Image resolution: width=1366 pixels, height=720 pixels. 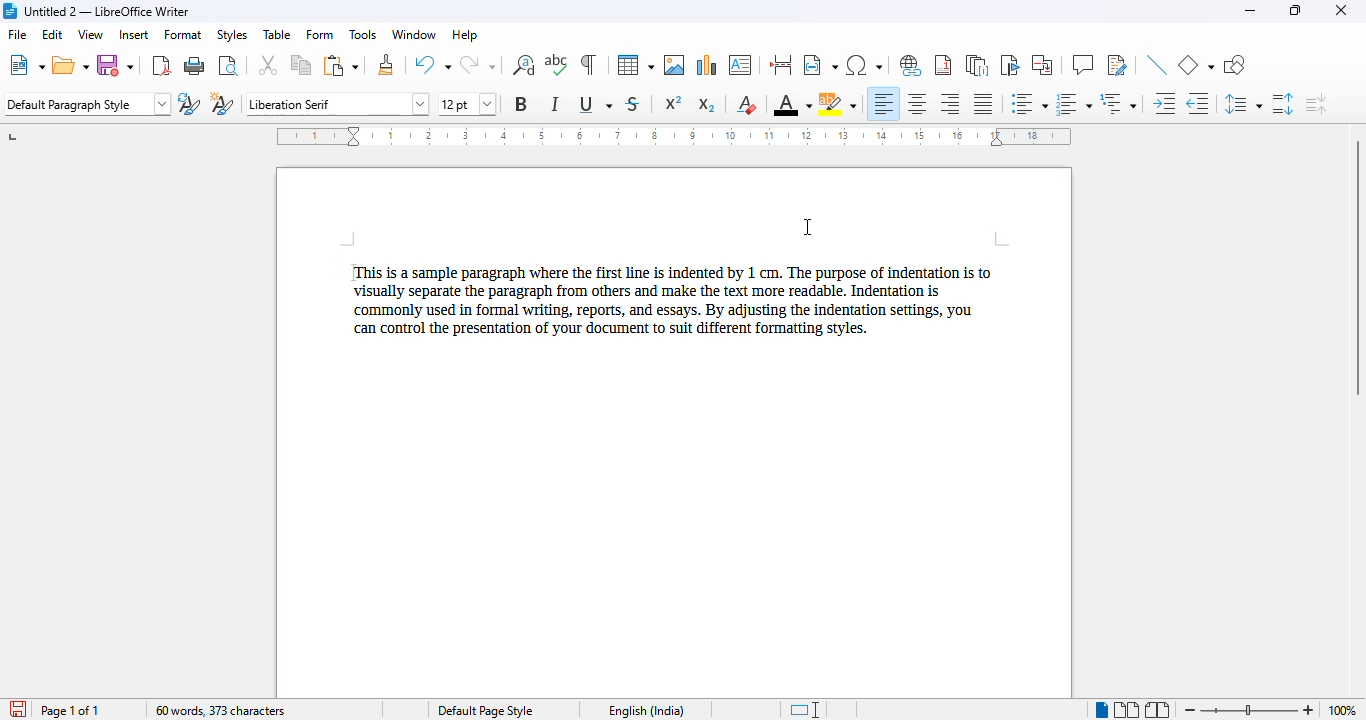 What do you see at coordinates (917, 104) in the screenshot?
I see `align center` at bounding box center [917, 104].